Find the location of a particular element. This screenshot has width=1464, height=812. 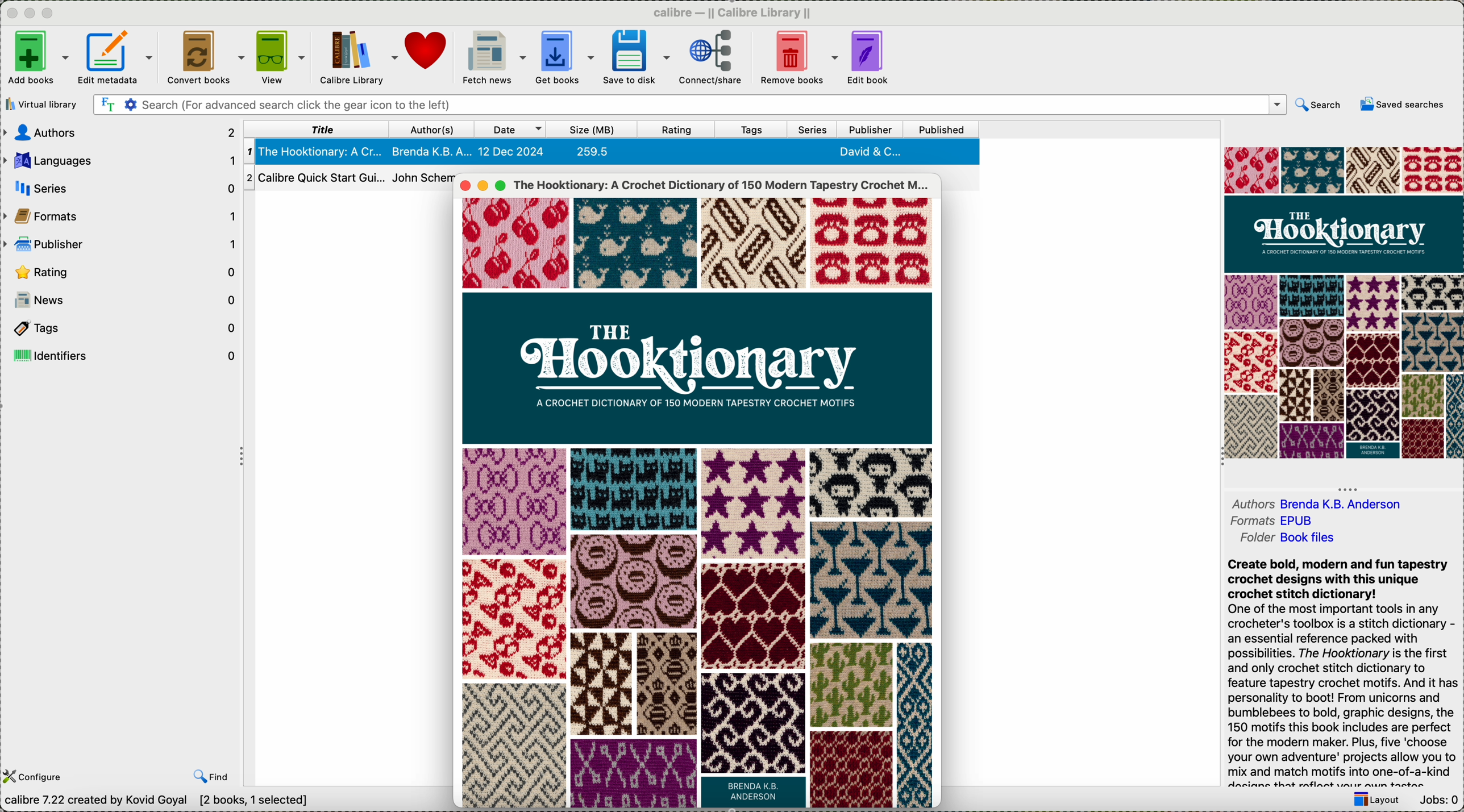

first book selected is located at coordinates (612, 151).